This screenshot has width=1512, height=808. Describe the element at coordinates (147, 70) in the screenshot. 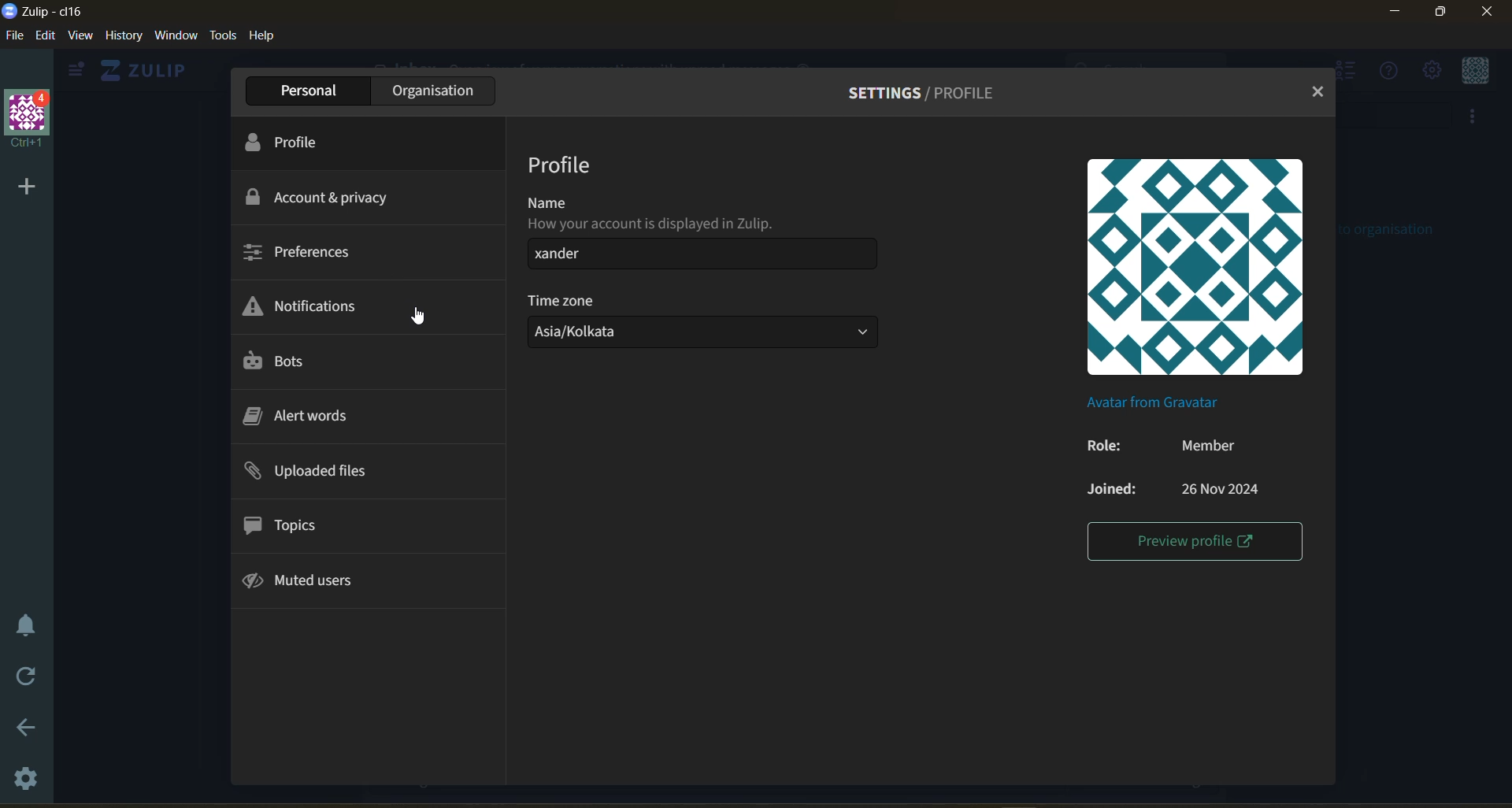

I see `home view` at that location.